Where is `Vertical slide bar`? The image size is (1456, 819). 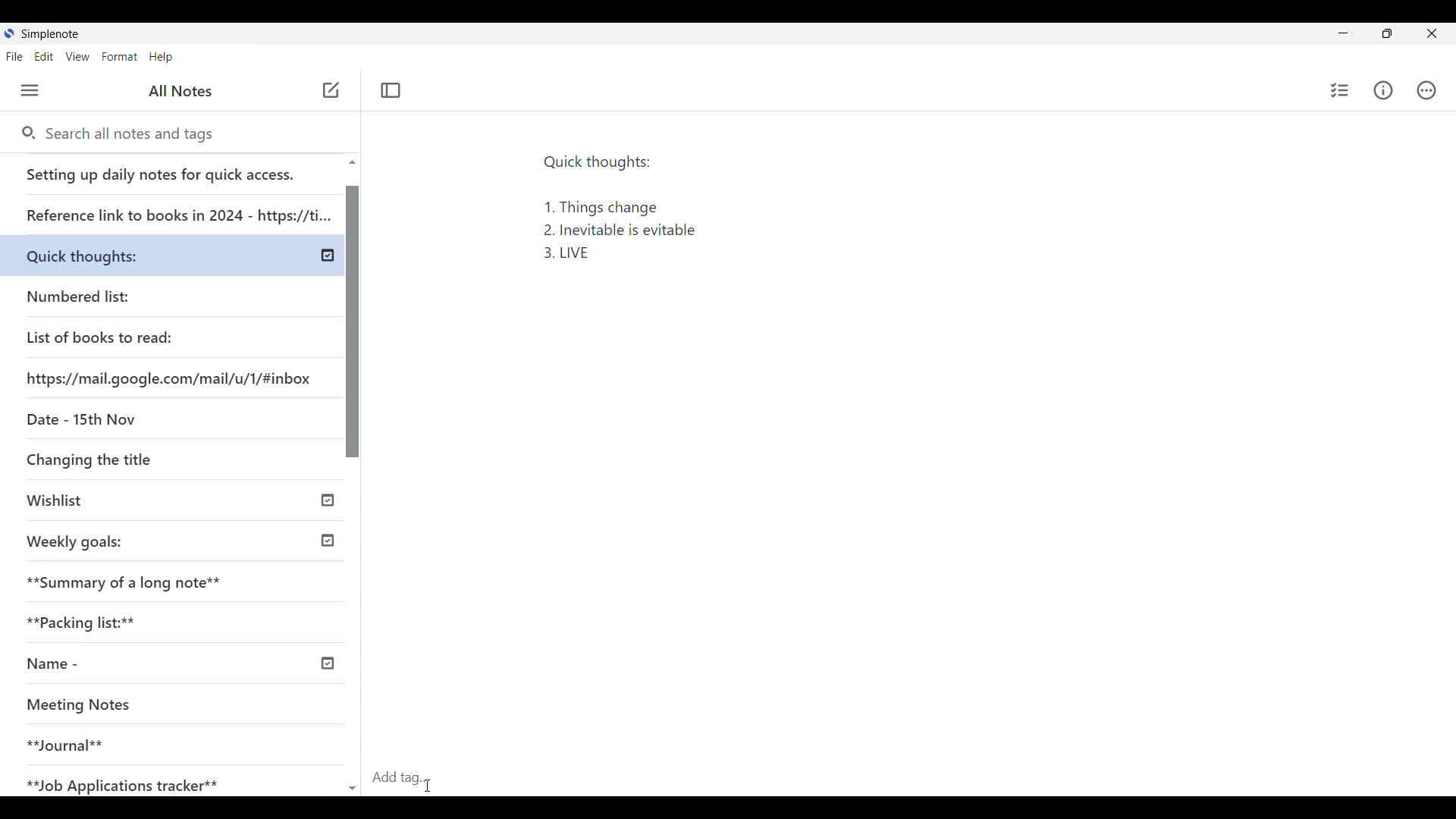
Vertical slide bar is located at coordinates (354, 482).